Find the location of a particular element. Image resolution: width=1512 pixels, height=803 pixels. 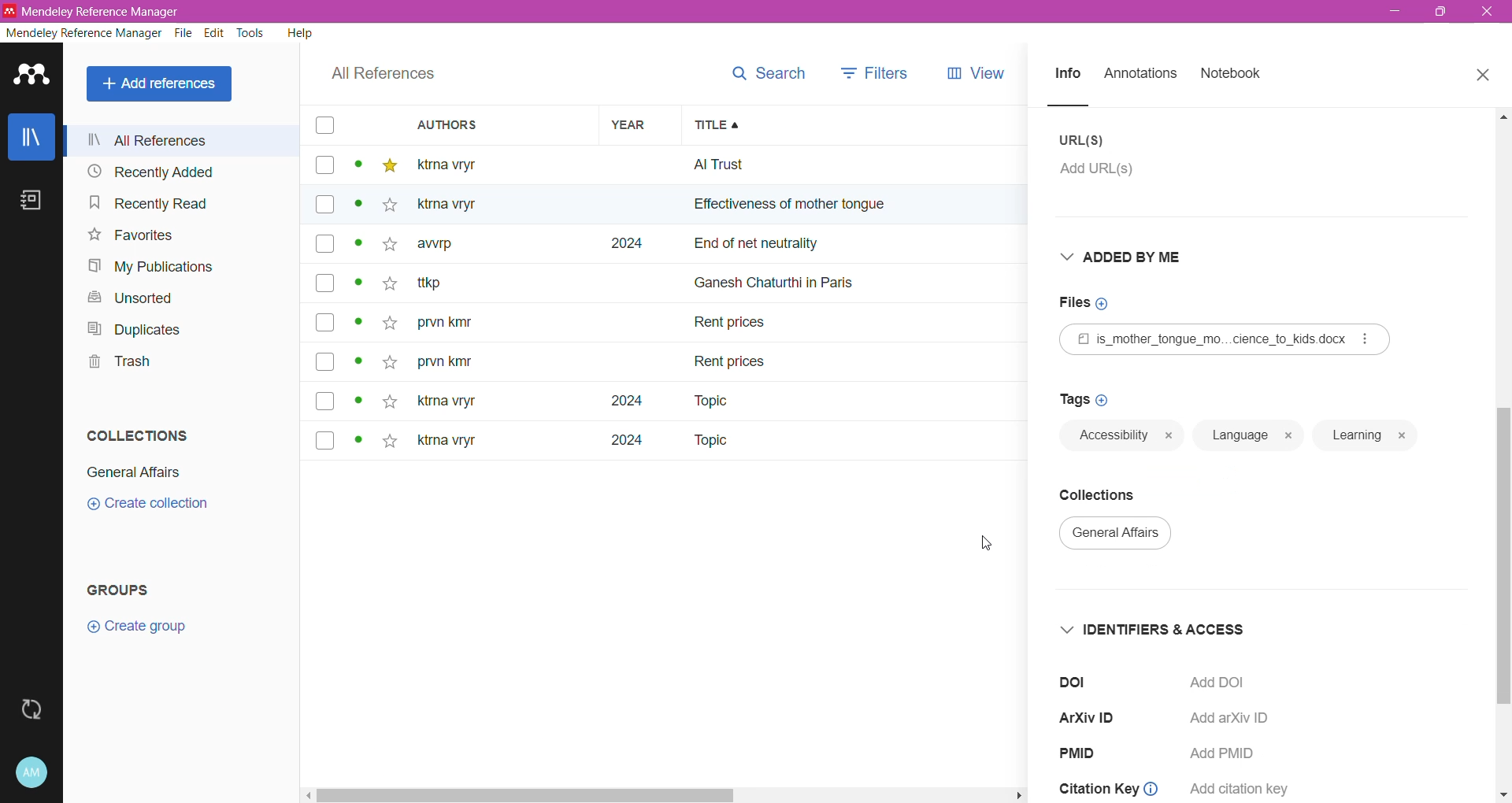

All References is located at coordinates (183, 140).